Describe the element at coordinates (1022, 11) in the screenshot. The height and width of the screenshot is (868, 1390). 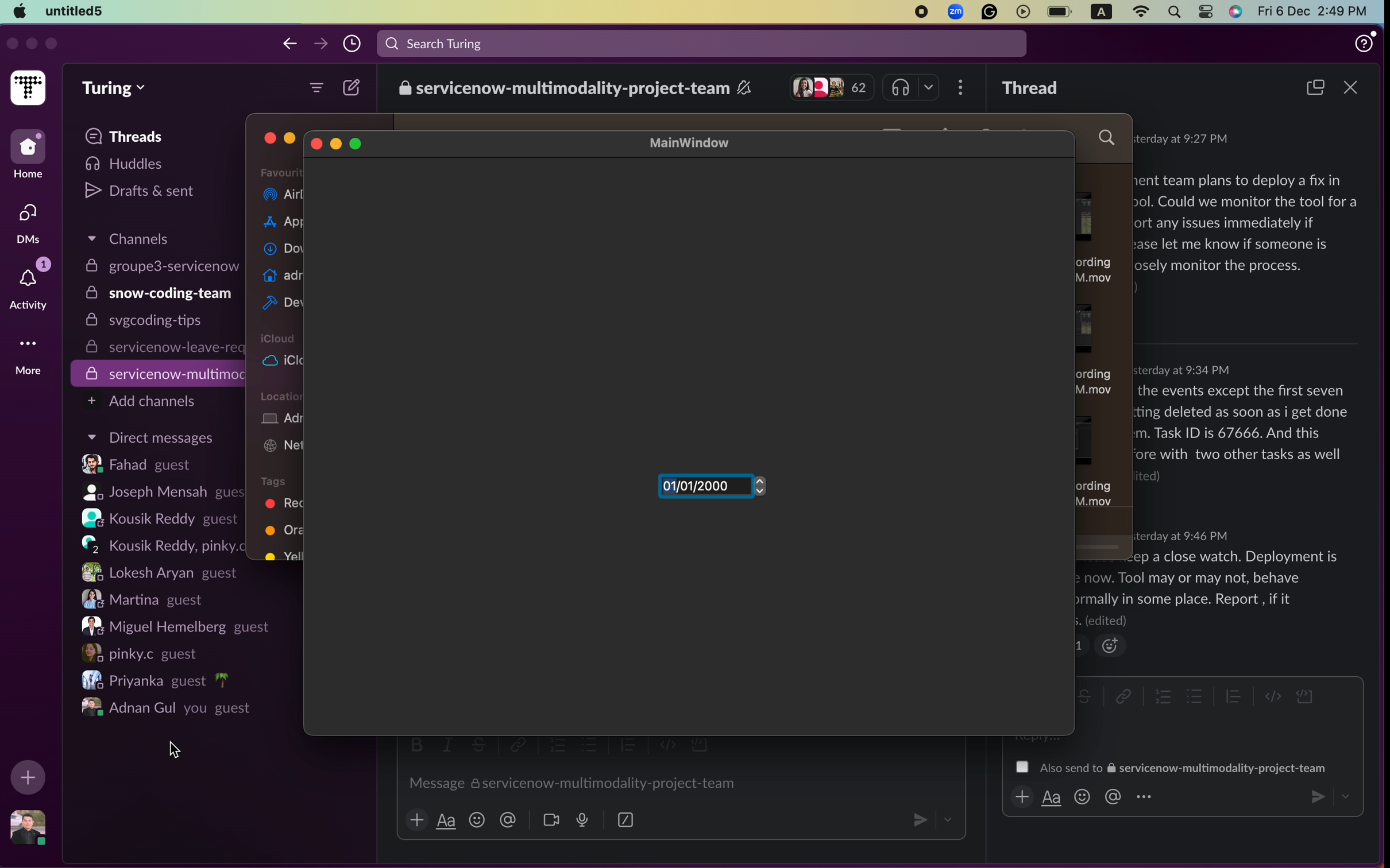
I see `play` at that location.